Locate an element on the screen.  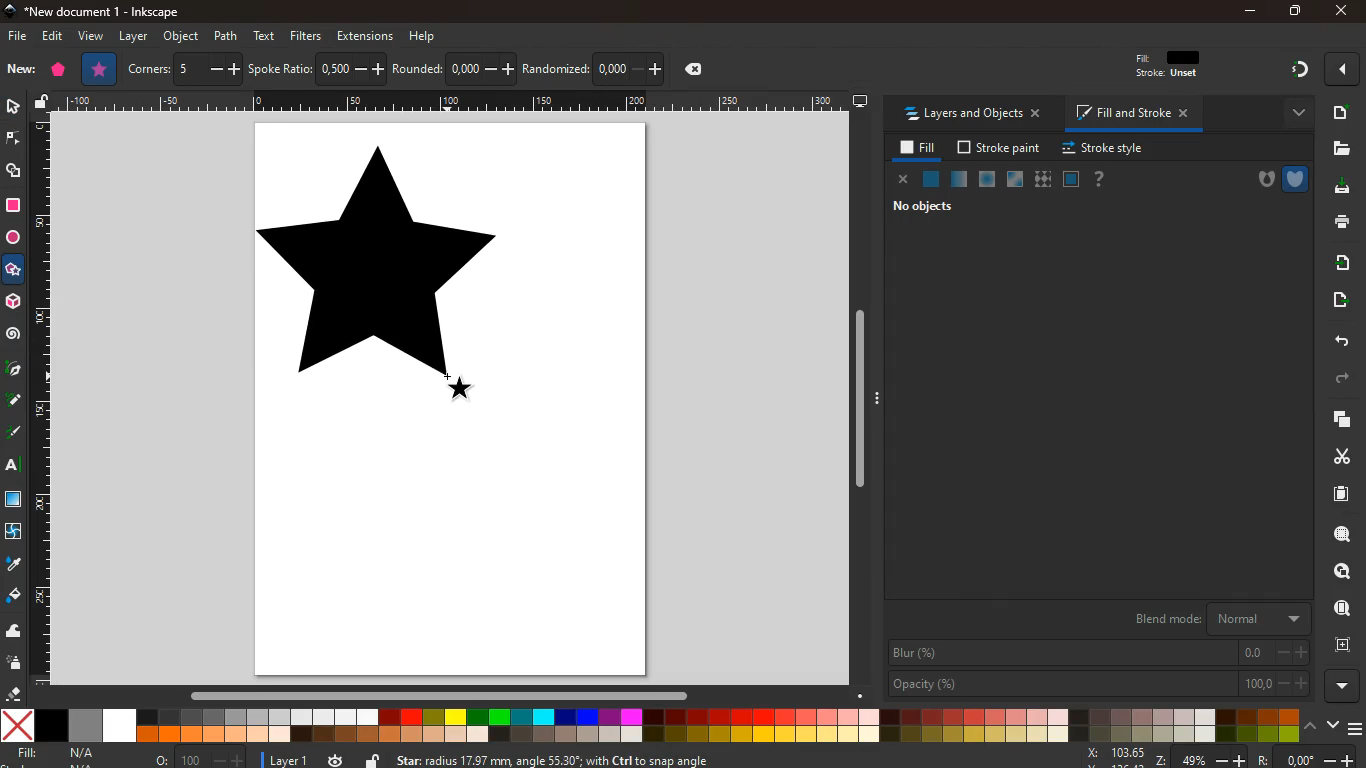
frame is located at coordinates (1343, 646).